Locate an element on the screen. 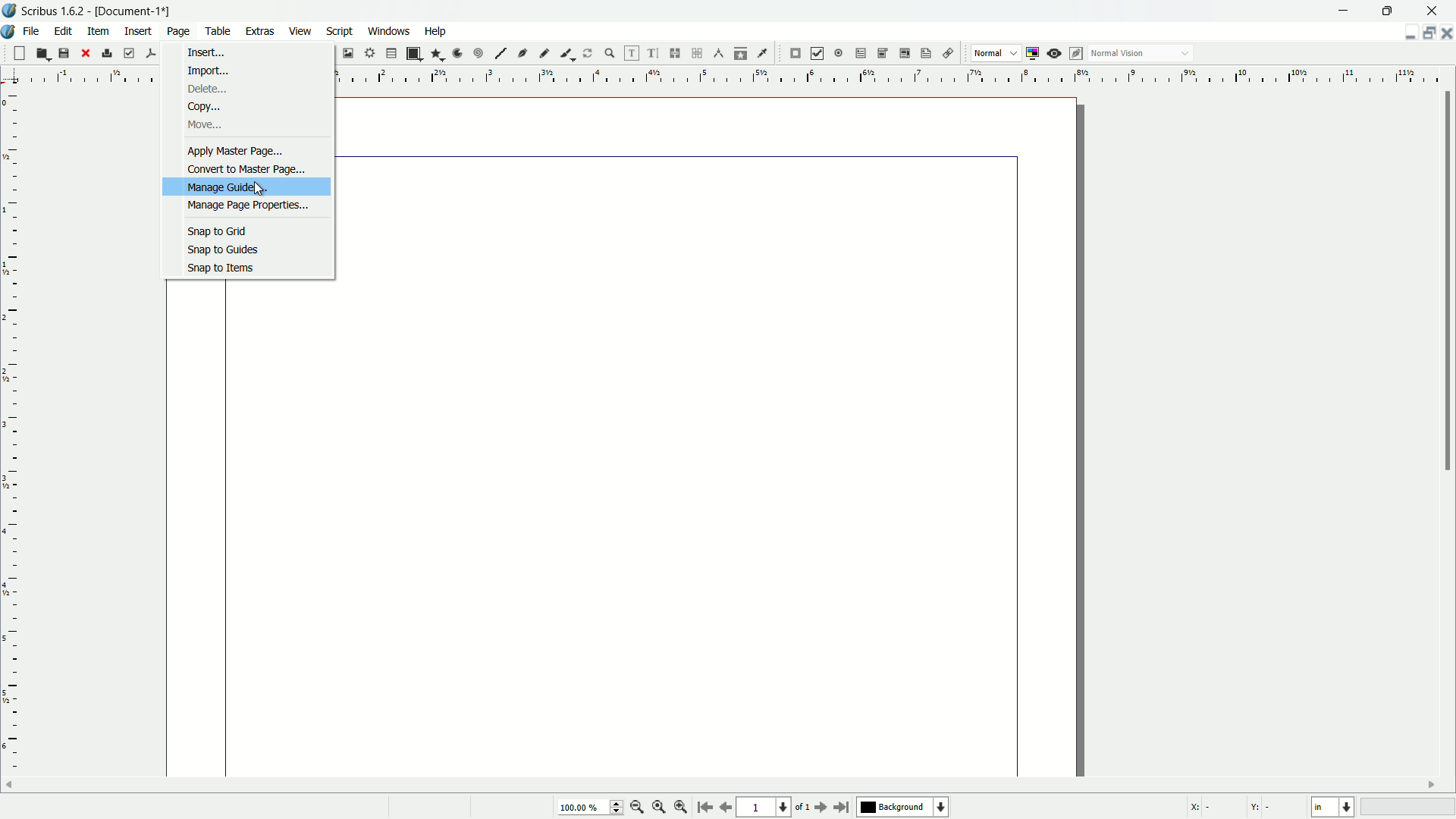  snap to items is located at coordinates (215, 268).